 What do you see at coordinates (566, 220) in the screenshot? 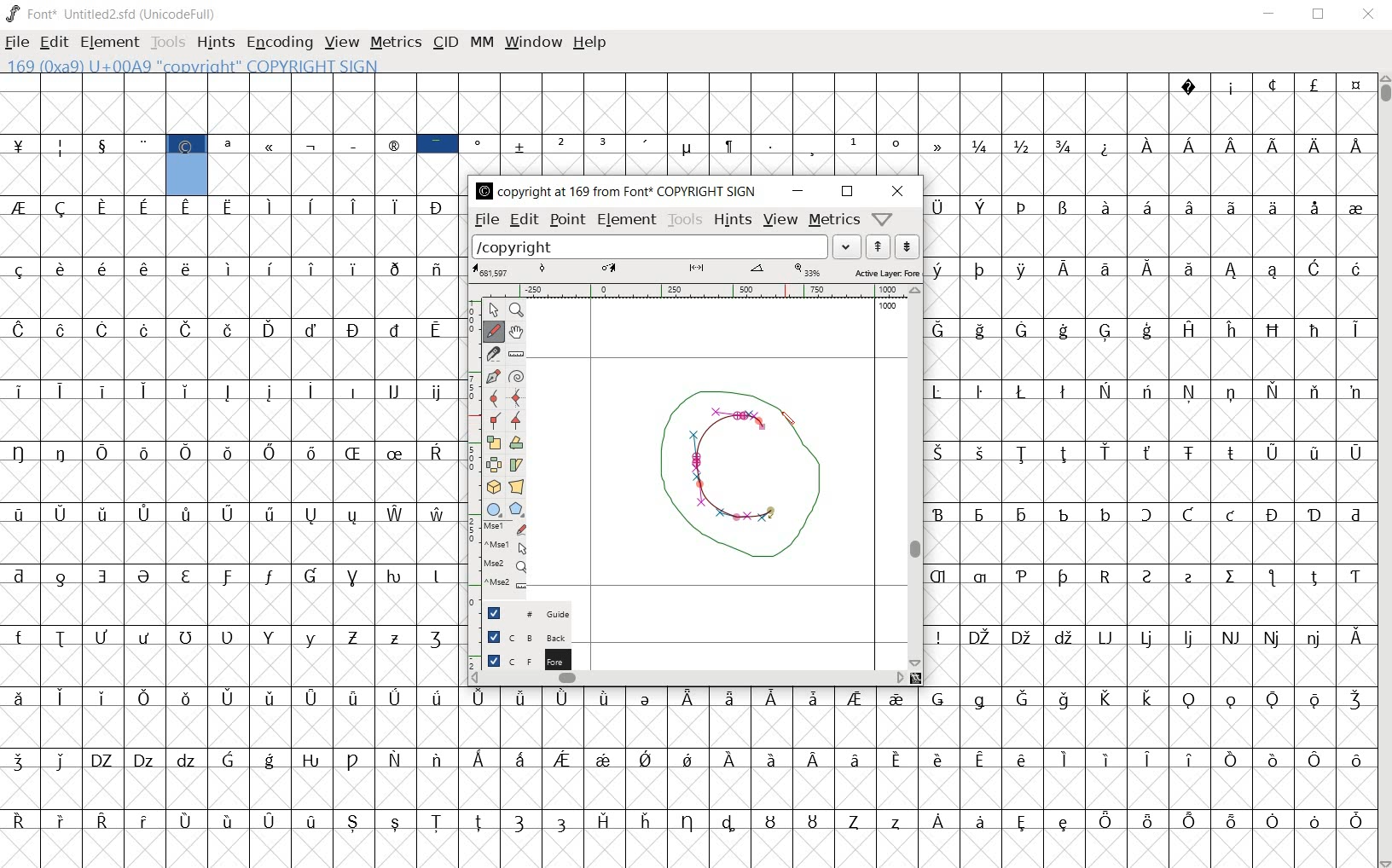
I see `point` at bounding box center [566, 220].